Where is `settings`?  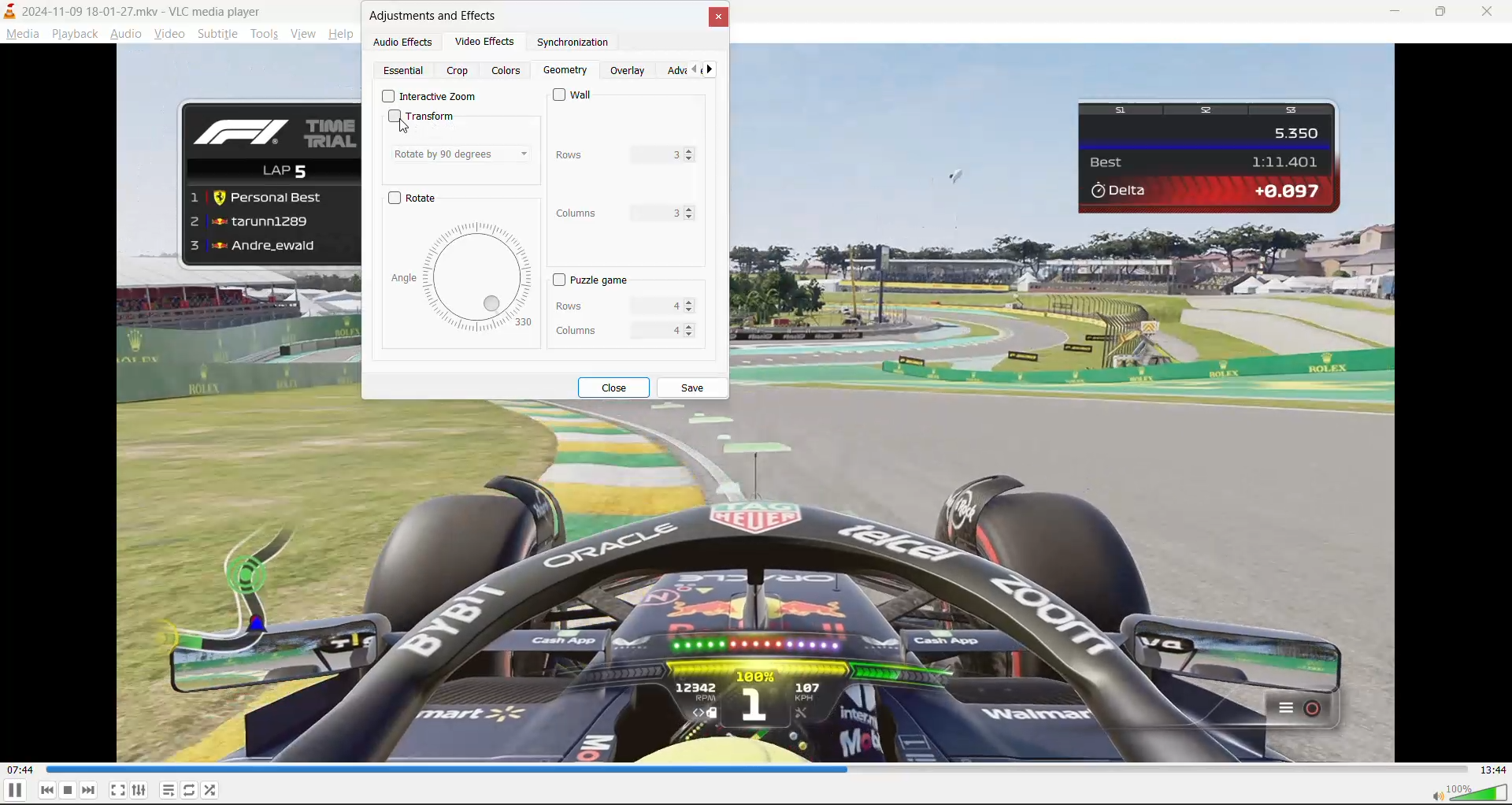
settings is located at coordinates (139, 788).